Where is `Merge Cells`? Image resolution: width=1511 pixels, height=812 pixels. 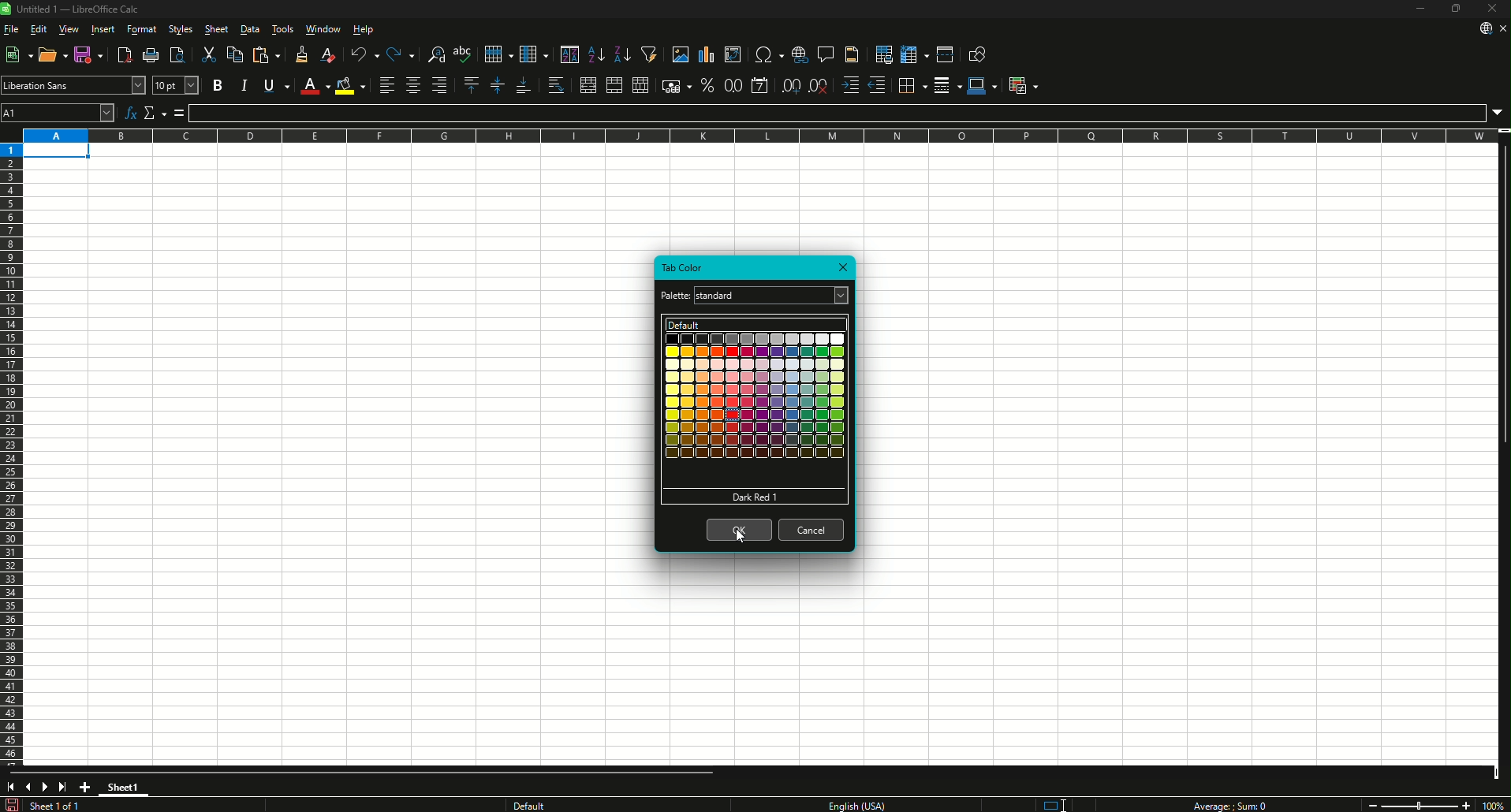 Merge Cells is located at coordinates (614, 85).